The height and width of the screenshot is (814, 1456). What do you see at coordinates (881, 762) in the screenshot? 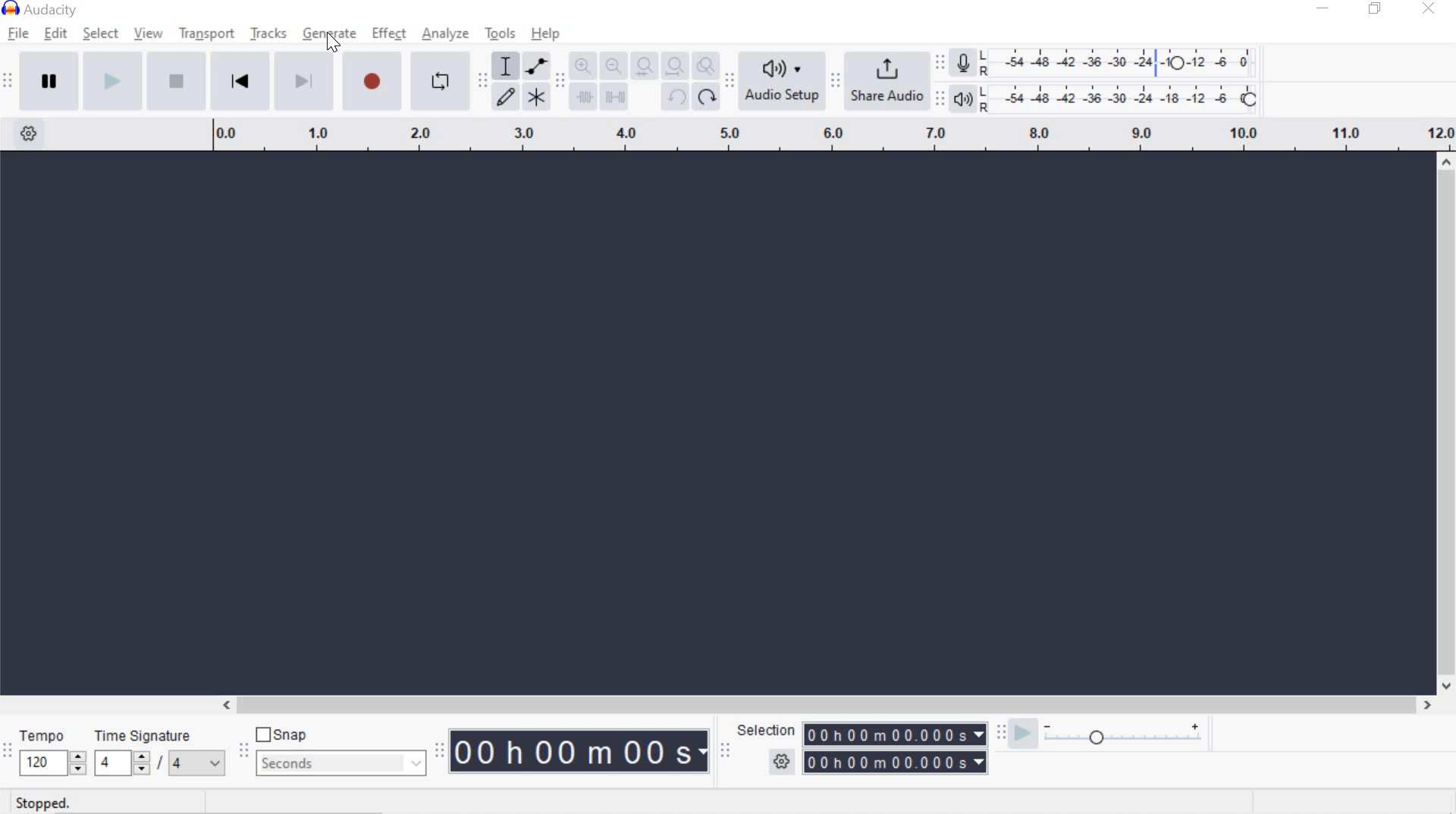
I see `selection time` at bounding box center [881, 762].